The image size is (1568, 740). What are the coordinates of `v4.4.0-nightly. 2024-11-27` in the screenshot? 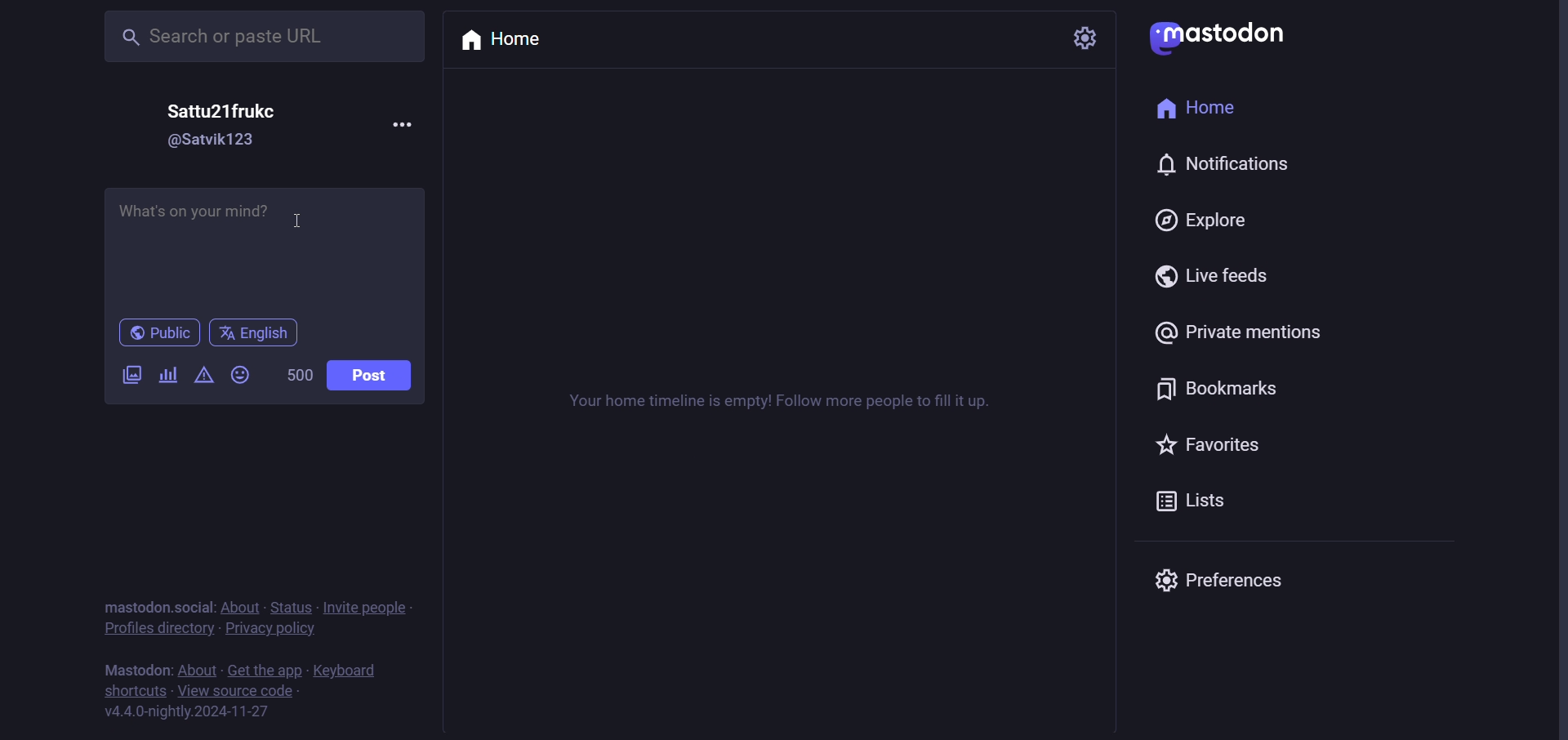 It's located at (186, 713).